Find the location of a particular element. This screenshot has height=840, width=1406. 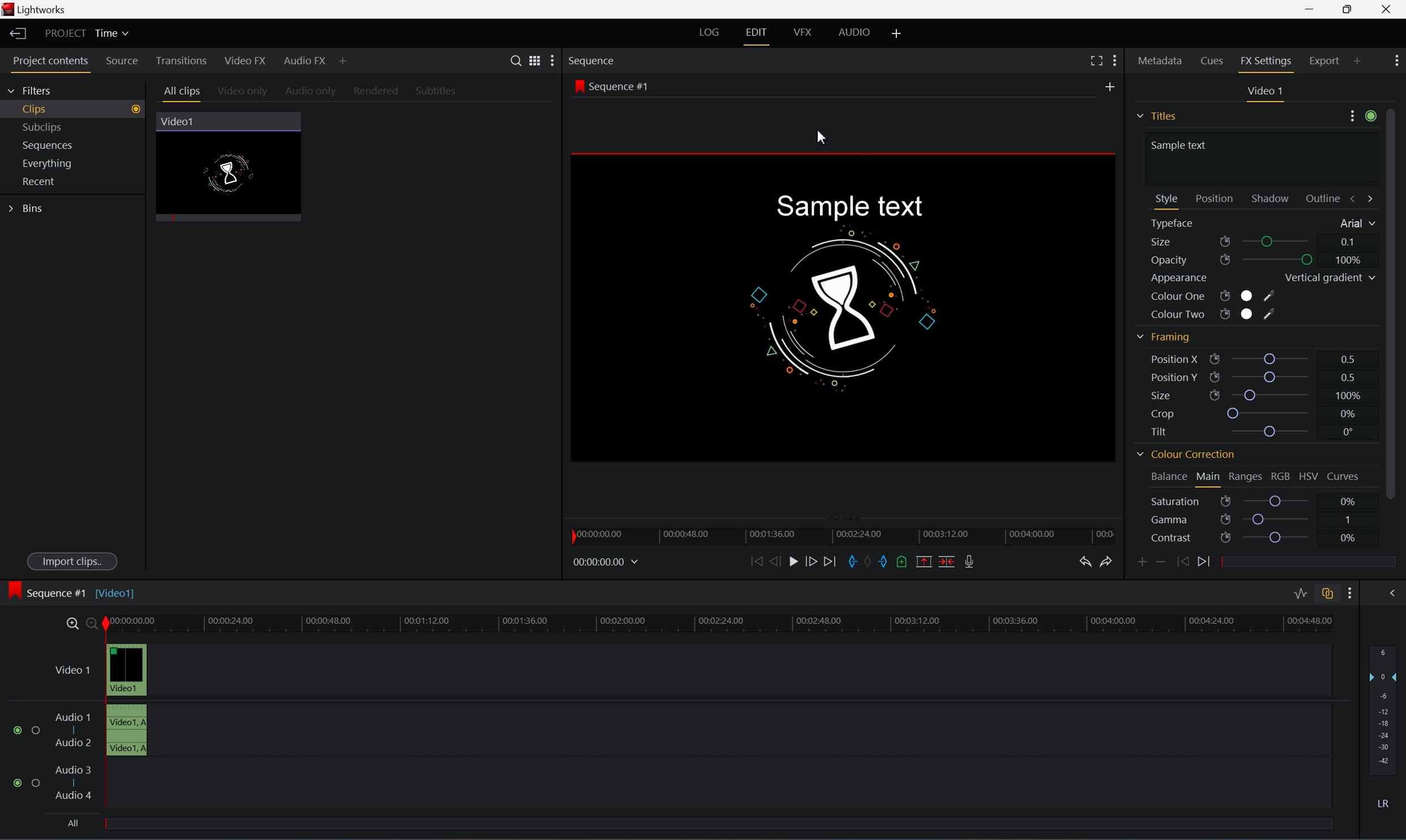

add an 'out' mark at the current position is located at coordinates (887, 562).